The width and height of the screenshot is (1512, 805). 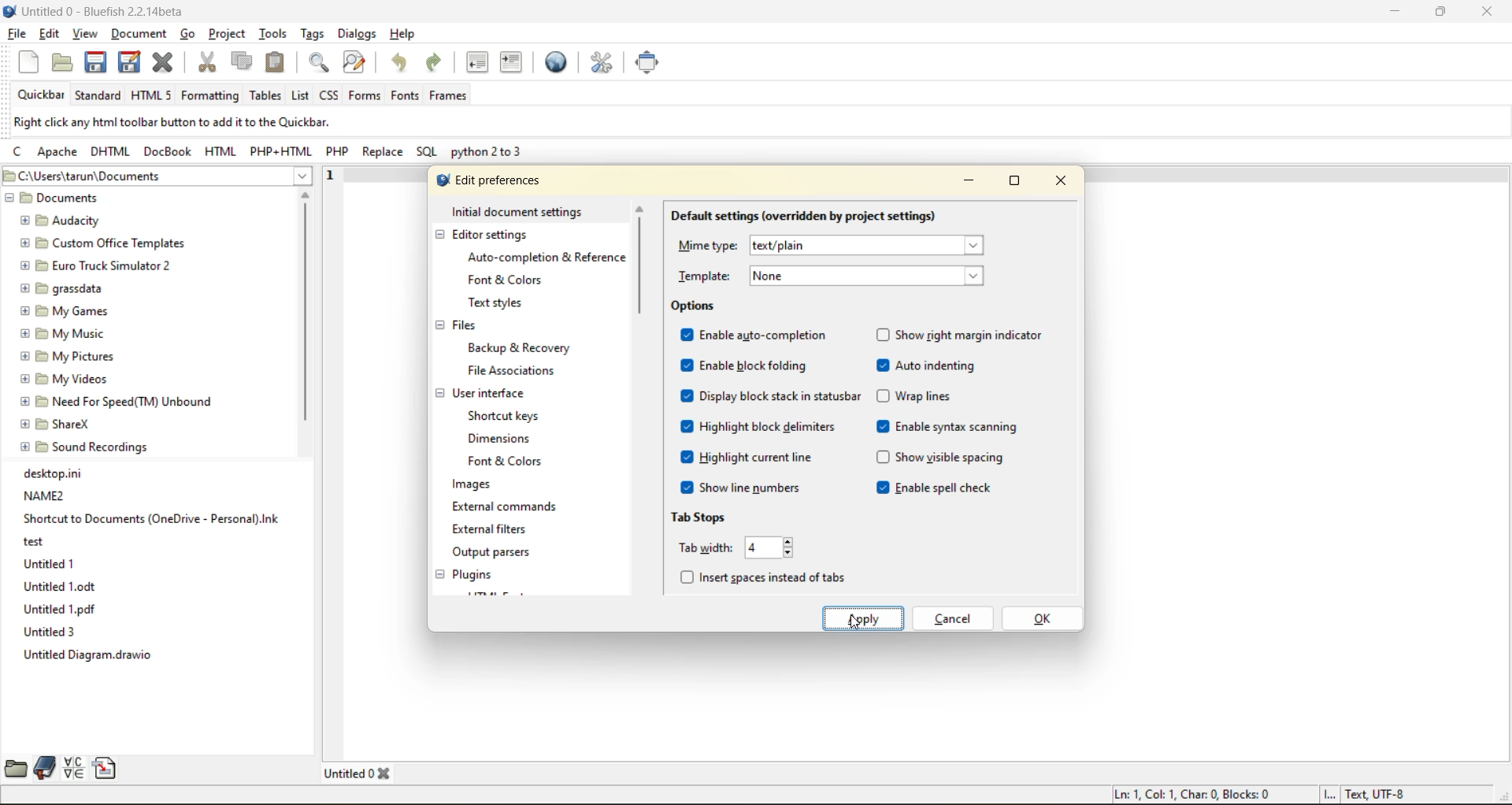 What do you see at coordinates (193, 36) in the screenshot?
I see `go` at bounding box center [193, 36].